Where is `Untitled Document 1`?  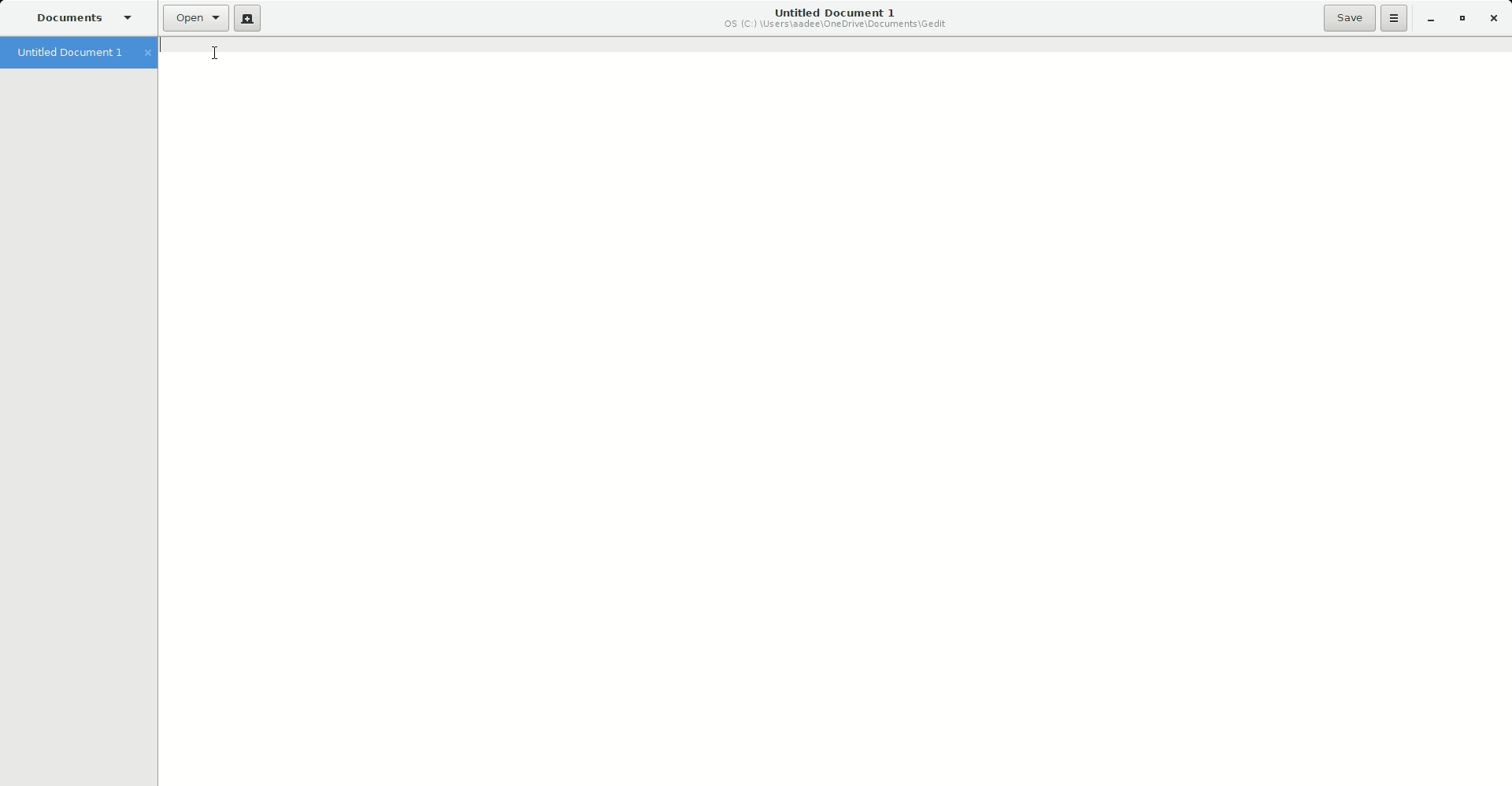
Untitled Document 1 is located at coordinates (837, 20).